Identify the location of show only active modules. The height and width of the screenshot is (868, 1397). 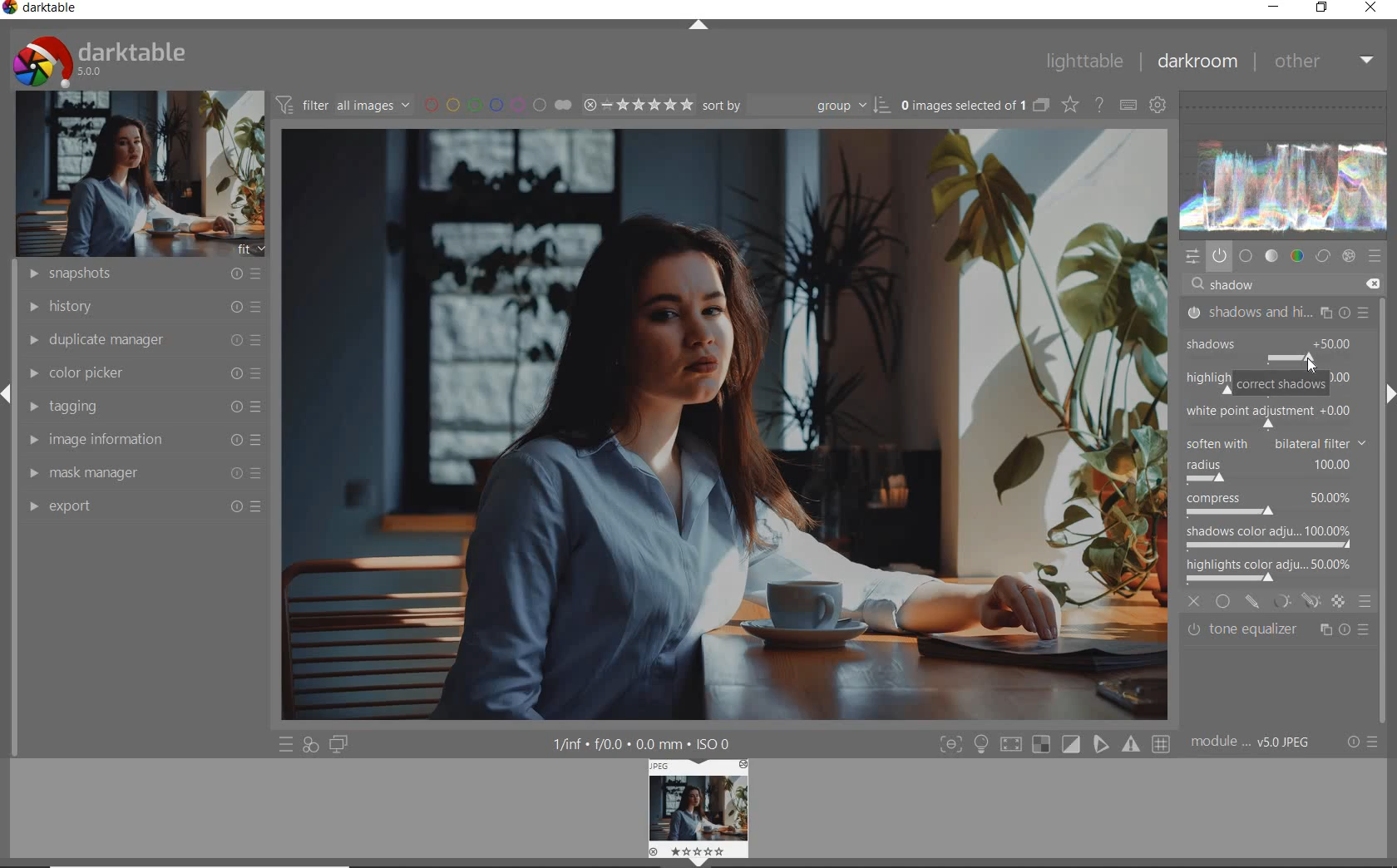
(1220, 255).